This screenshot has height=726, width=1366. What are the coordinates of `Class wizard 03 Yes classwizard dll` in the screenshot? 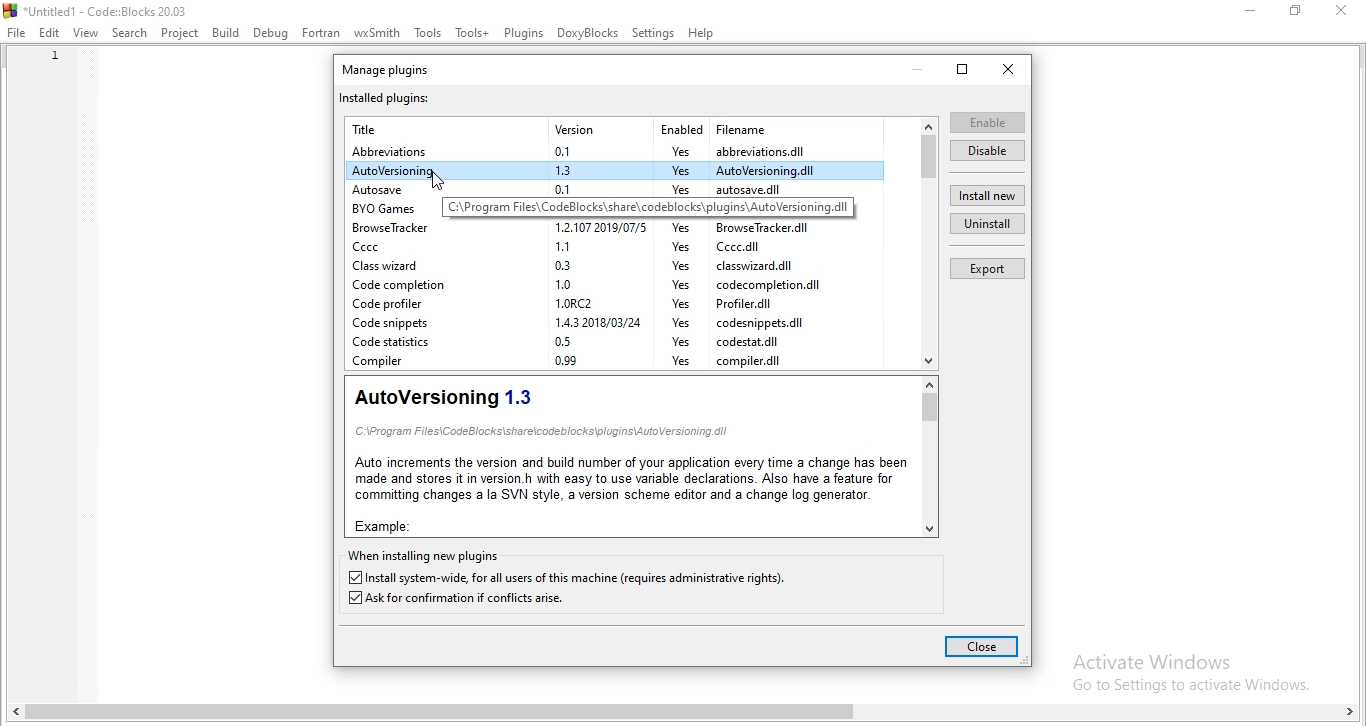 It's located at (575, 265).